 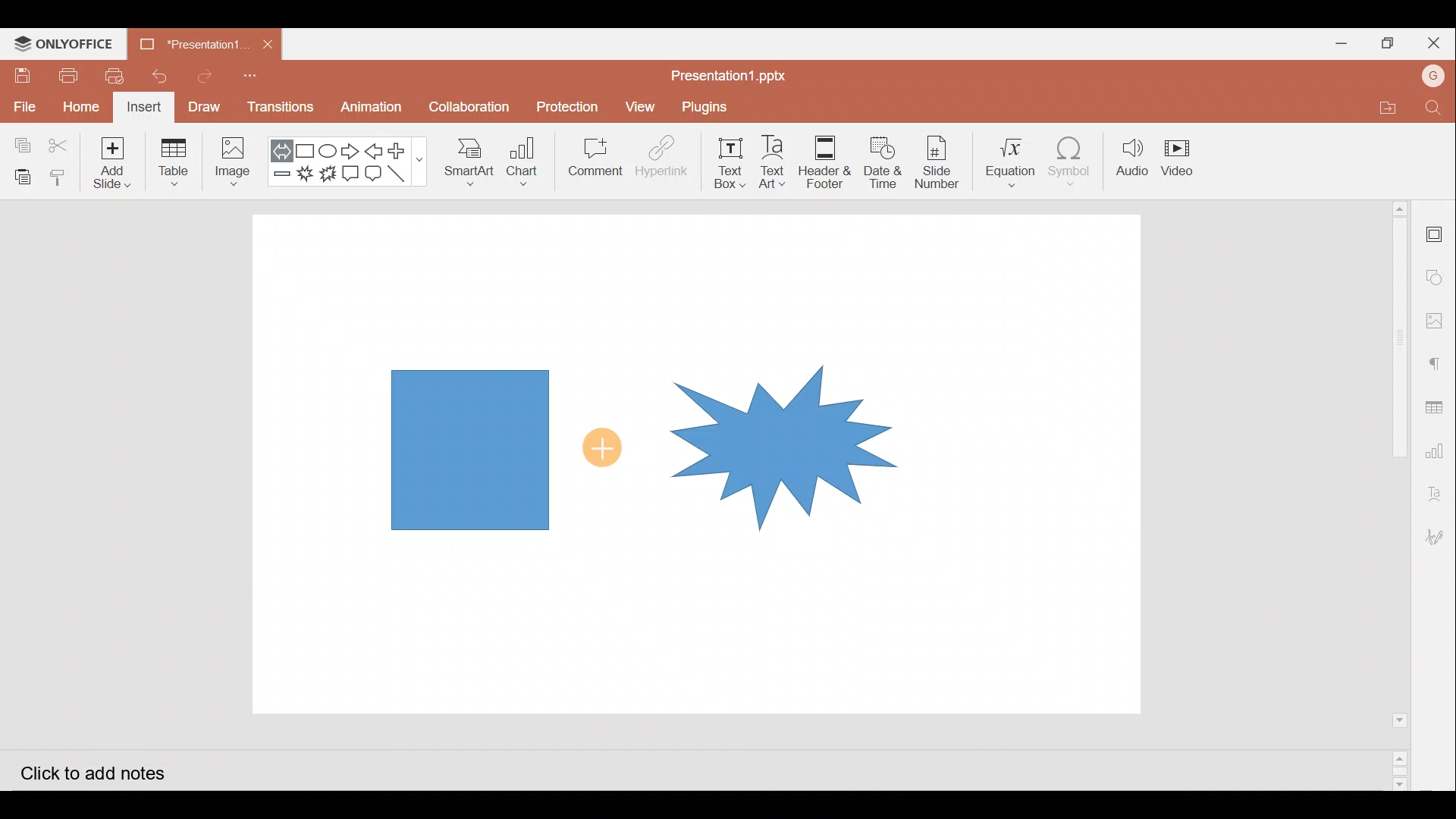 What do you see at coordinates (1436, 275) in the screenshot?
I see `Shapes settings` at bounding box center [1436, 275].